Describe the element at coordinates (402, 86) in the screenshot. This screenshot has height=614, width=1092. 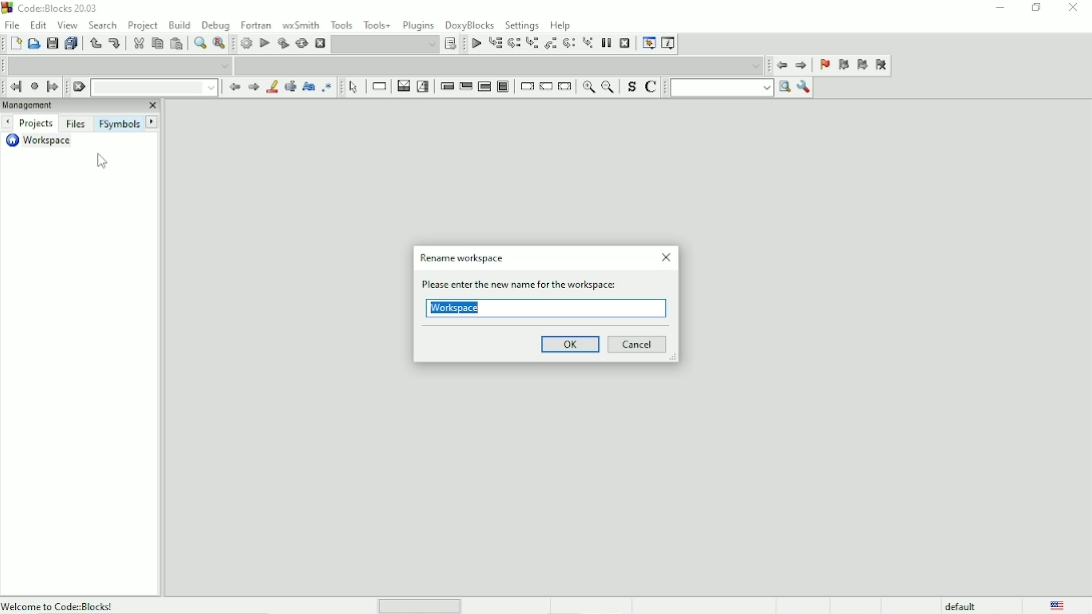
I see `Decision` at that location.